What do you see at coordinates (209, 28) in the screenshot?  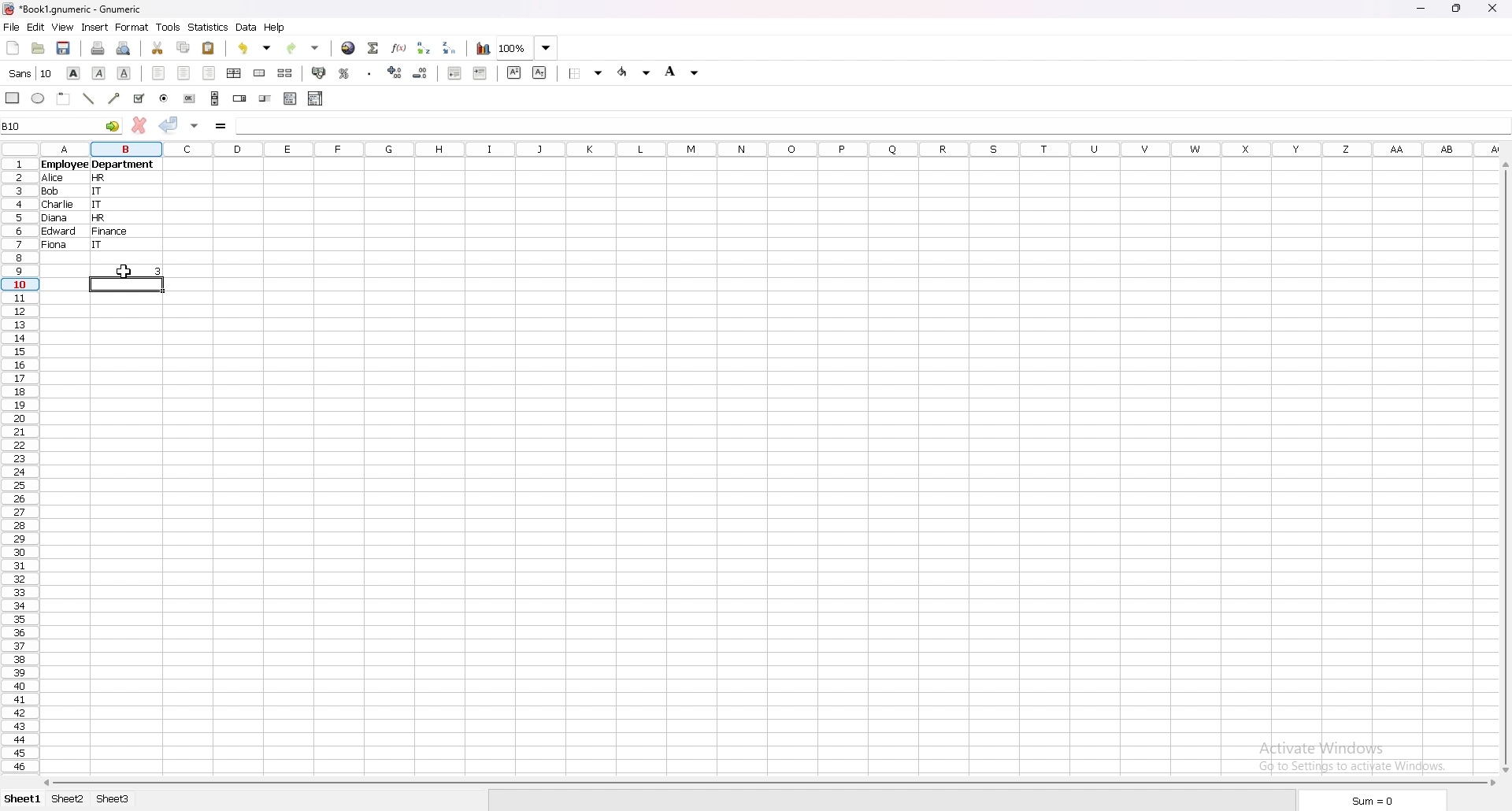 I see `statistics` at bounding box center [209, 28].